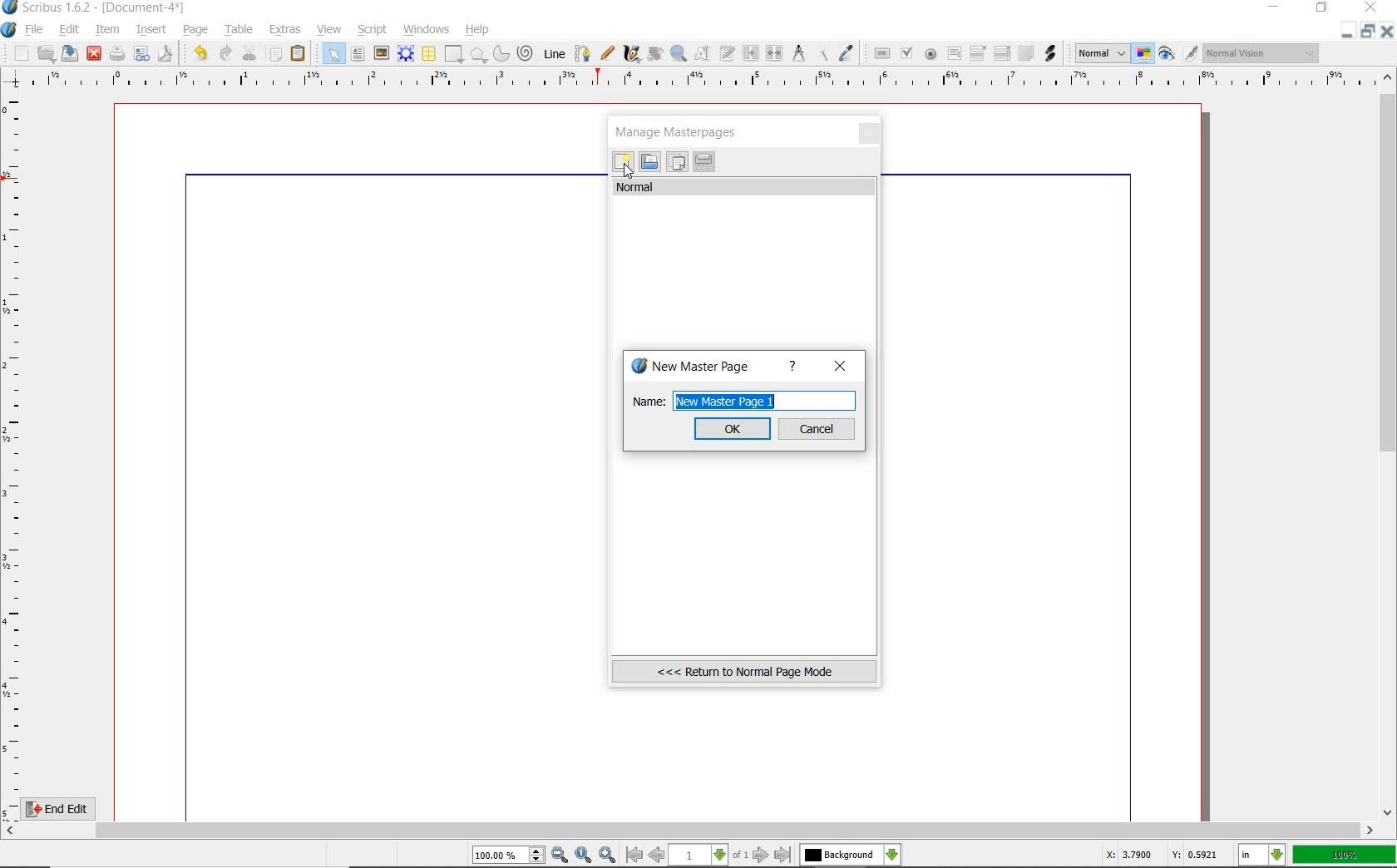  I want to click on freehand line, so click(605, 54).